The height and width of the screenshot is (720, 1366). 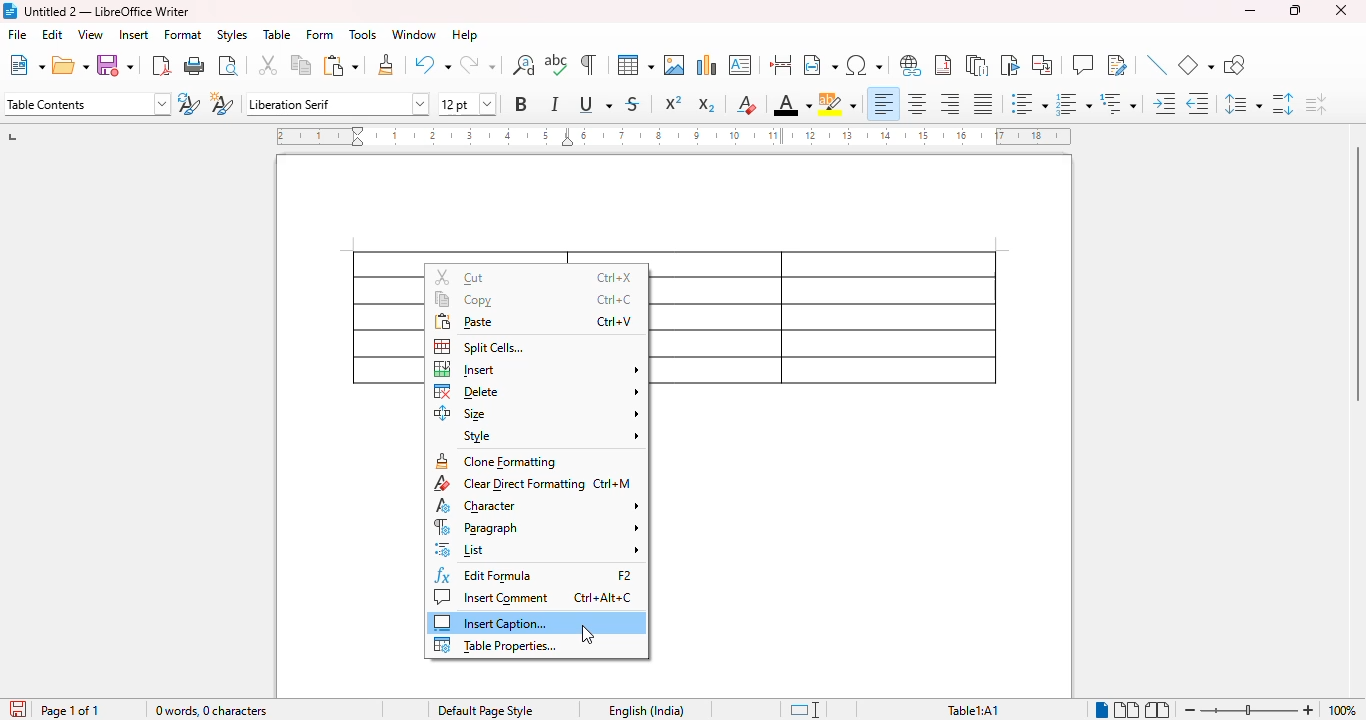 I want to click on new style from selection, so click(x=223, y=103).